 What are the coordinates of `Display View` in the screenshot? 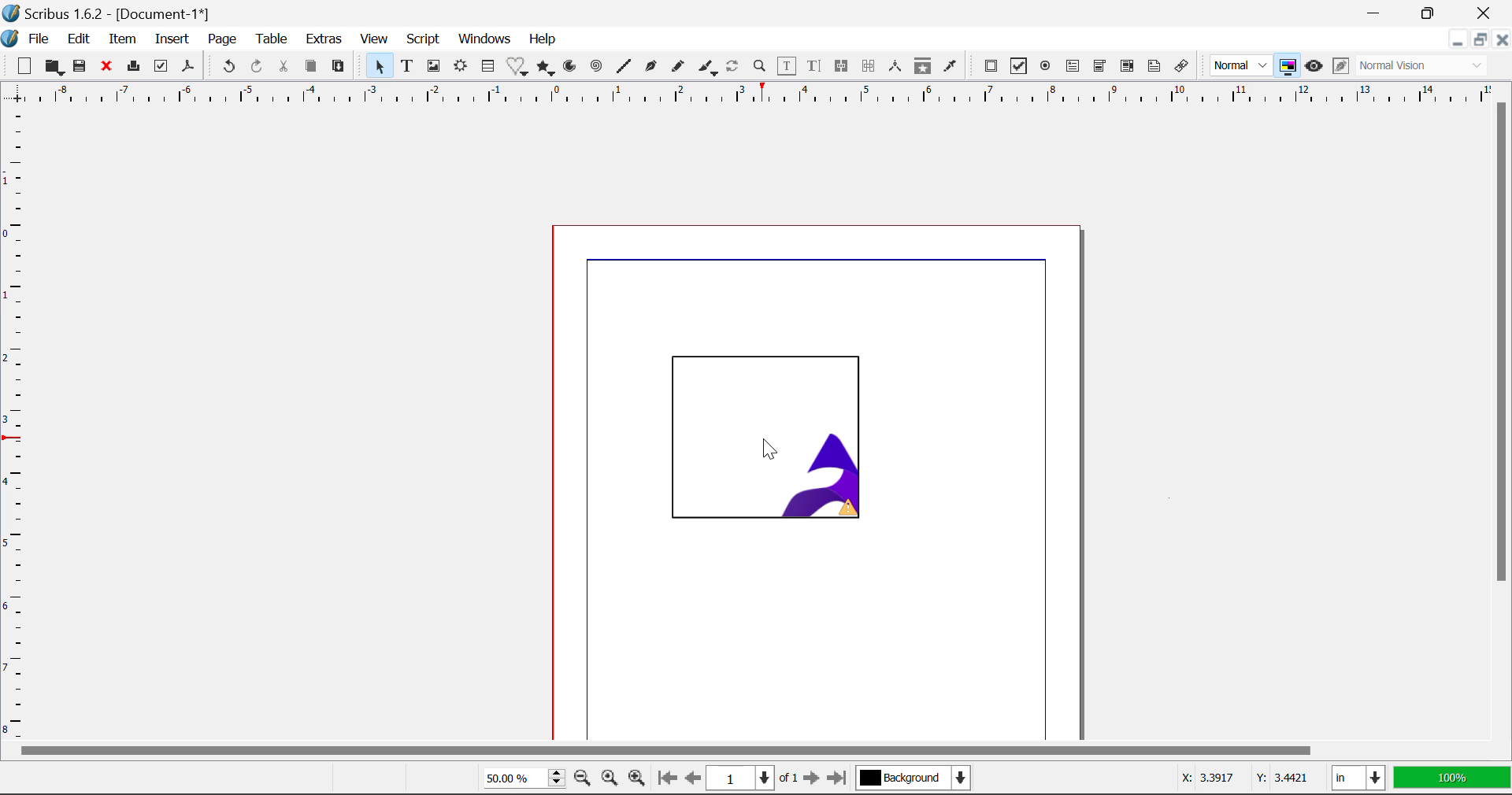 It's located at (1447, 777).